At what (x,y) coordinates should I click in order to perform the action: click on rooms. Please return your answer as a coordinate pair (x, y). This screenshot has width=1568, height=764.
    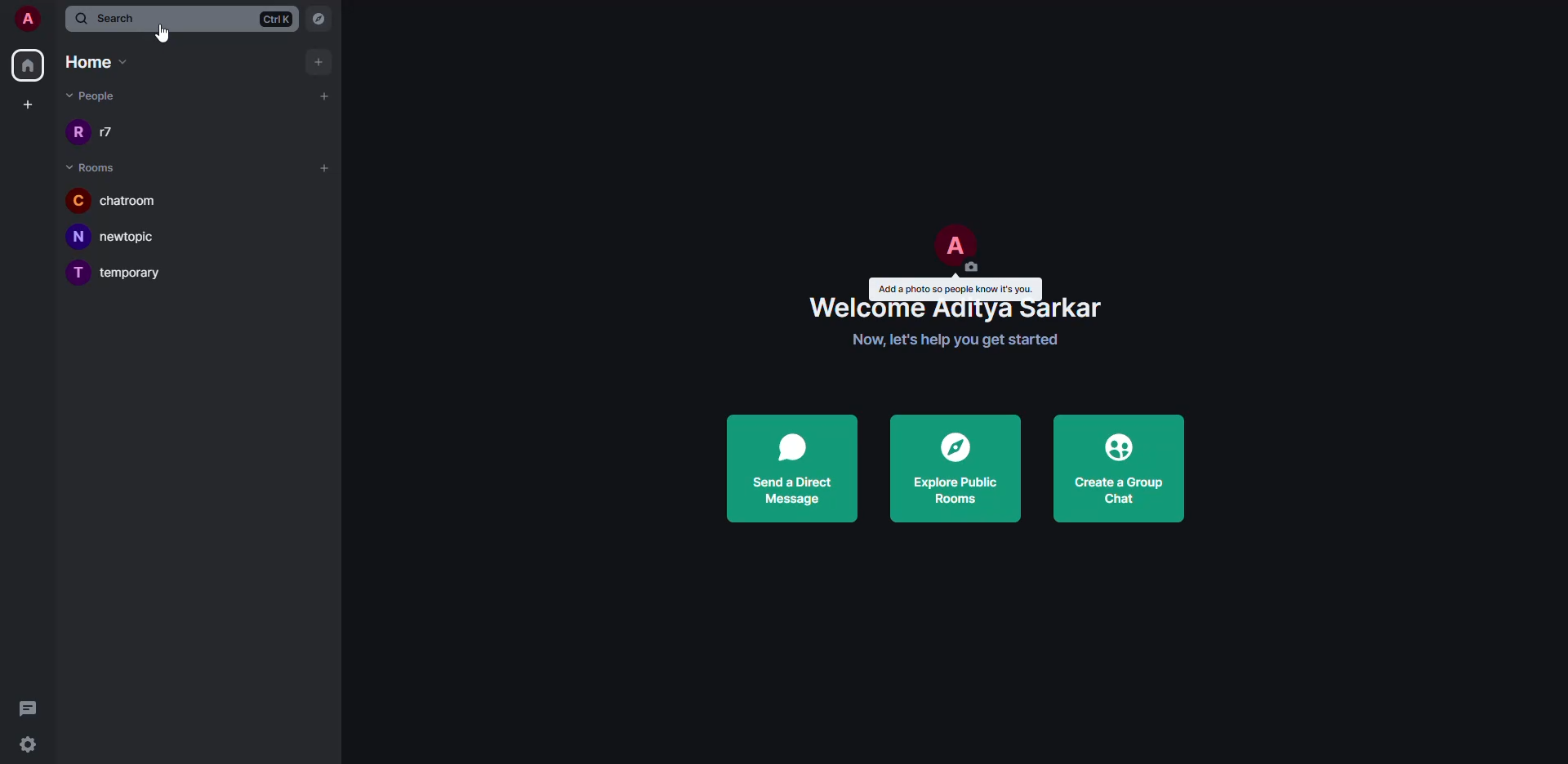
    Looking at the image, I should click on (93, 168).